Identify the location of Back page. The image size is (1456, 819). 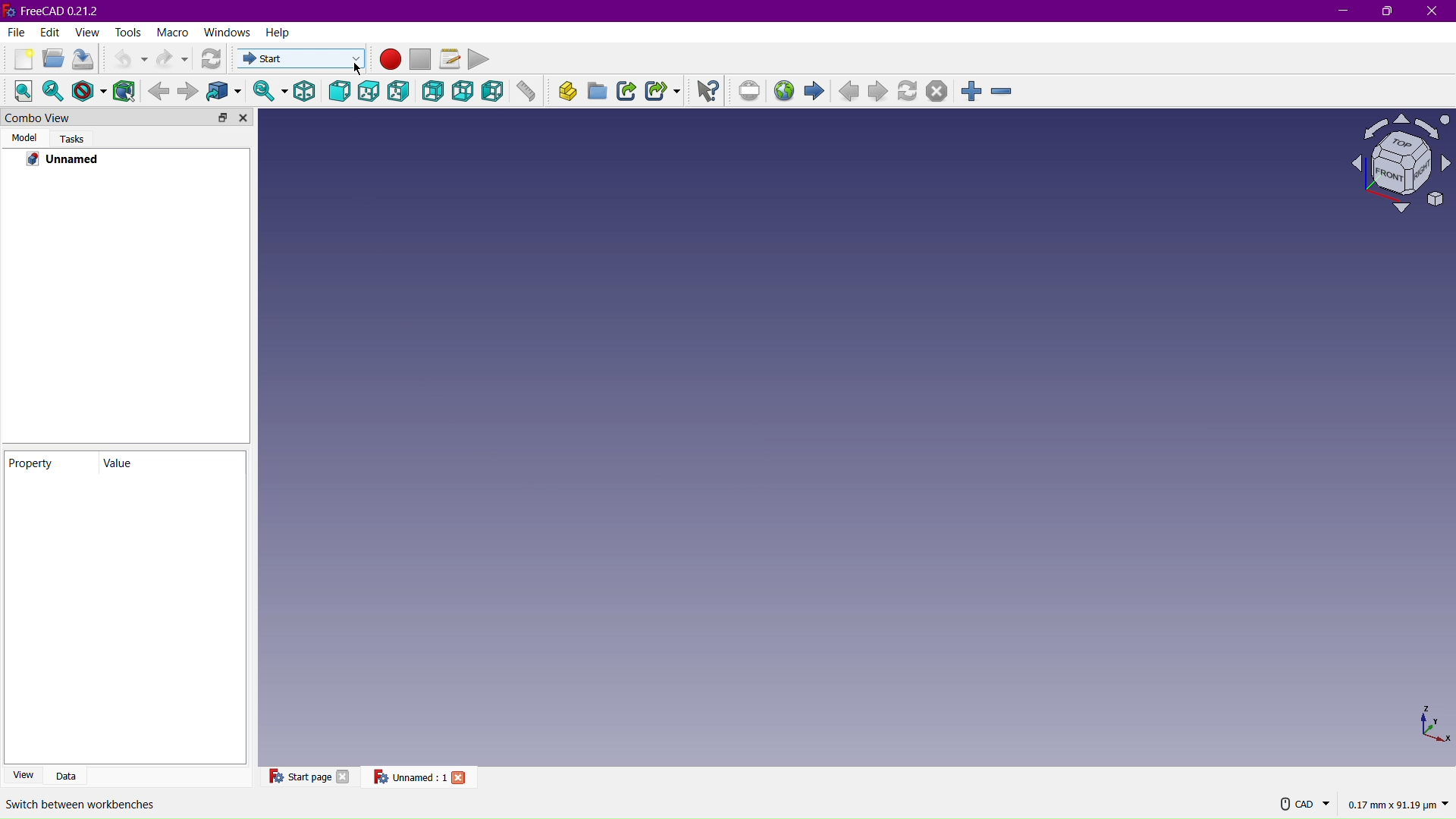
(851, 93).